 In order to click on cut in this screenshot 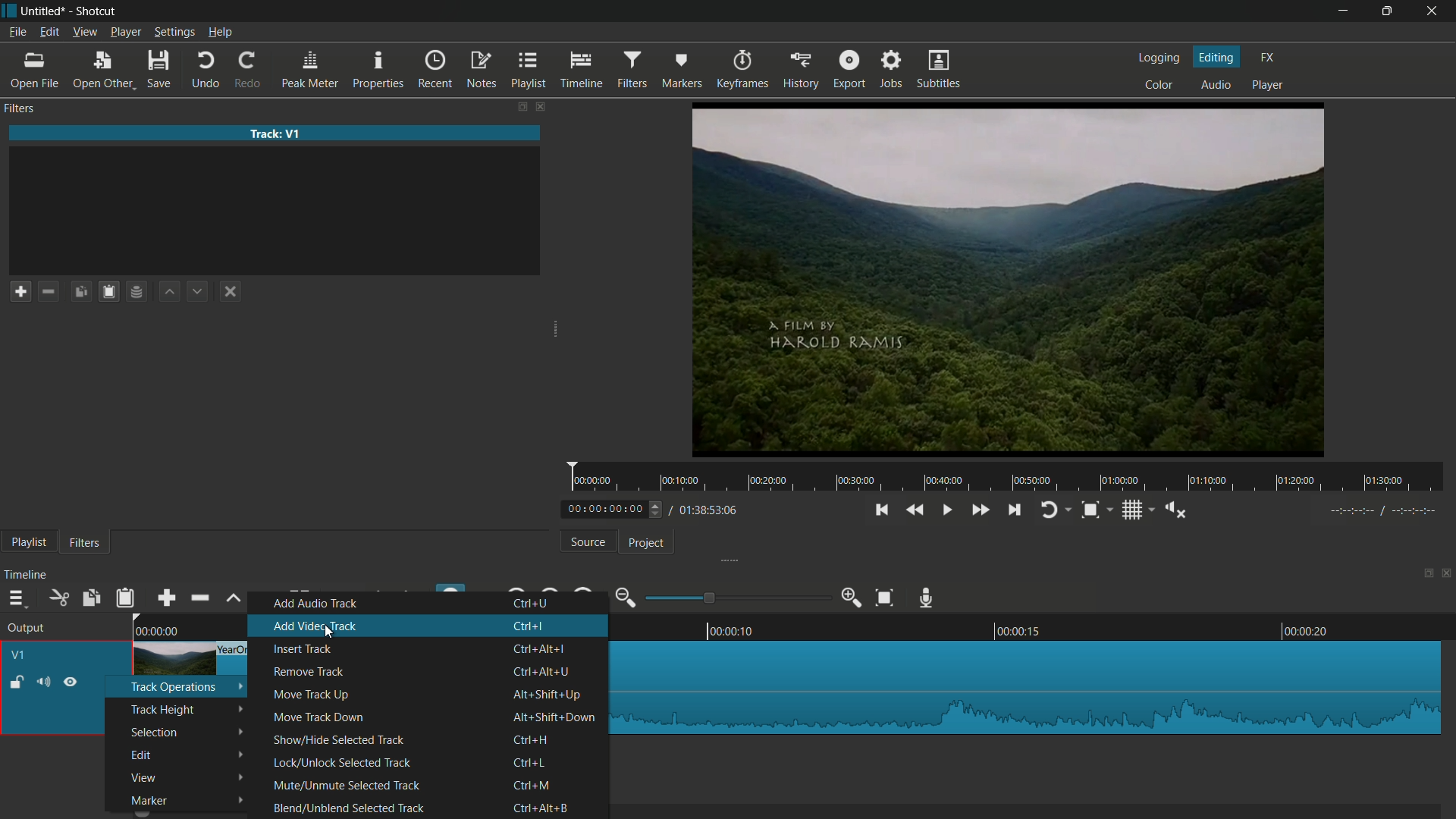, I will do `click(60, 598)`.